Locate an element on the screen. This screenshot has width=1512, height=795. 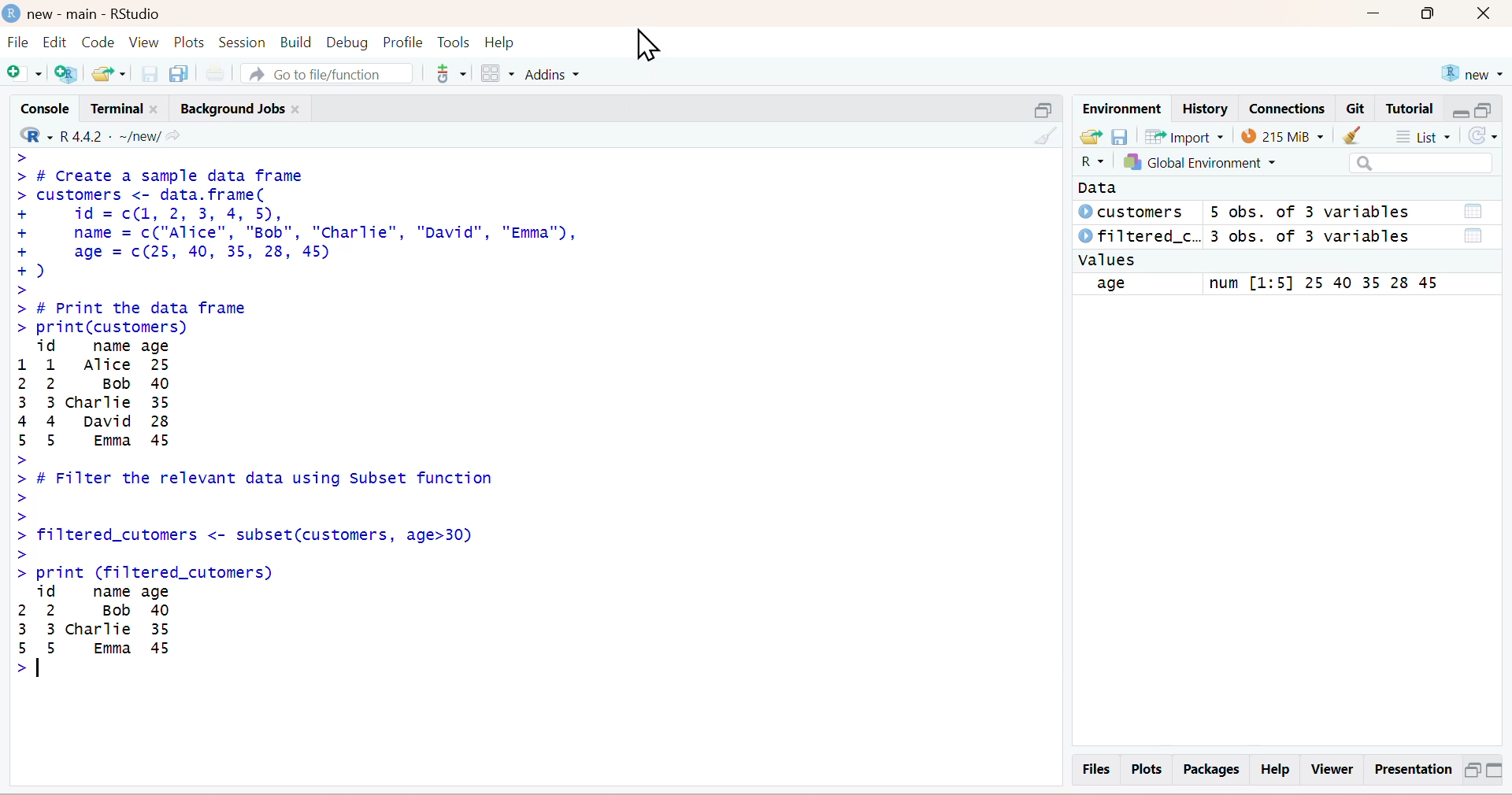
Code is located at coordinates (100, 42).